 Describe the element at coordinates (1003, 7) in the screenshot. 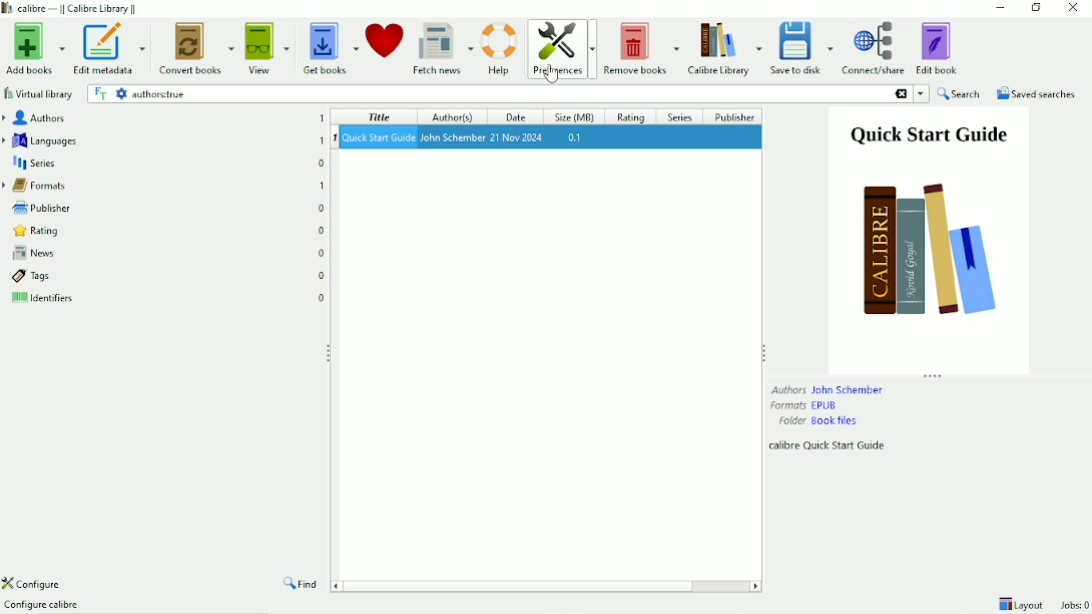

I see `Minimize` at that location.